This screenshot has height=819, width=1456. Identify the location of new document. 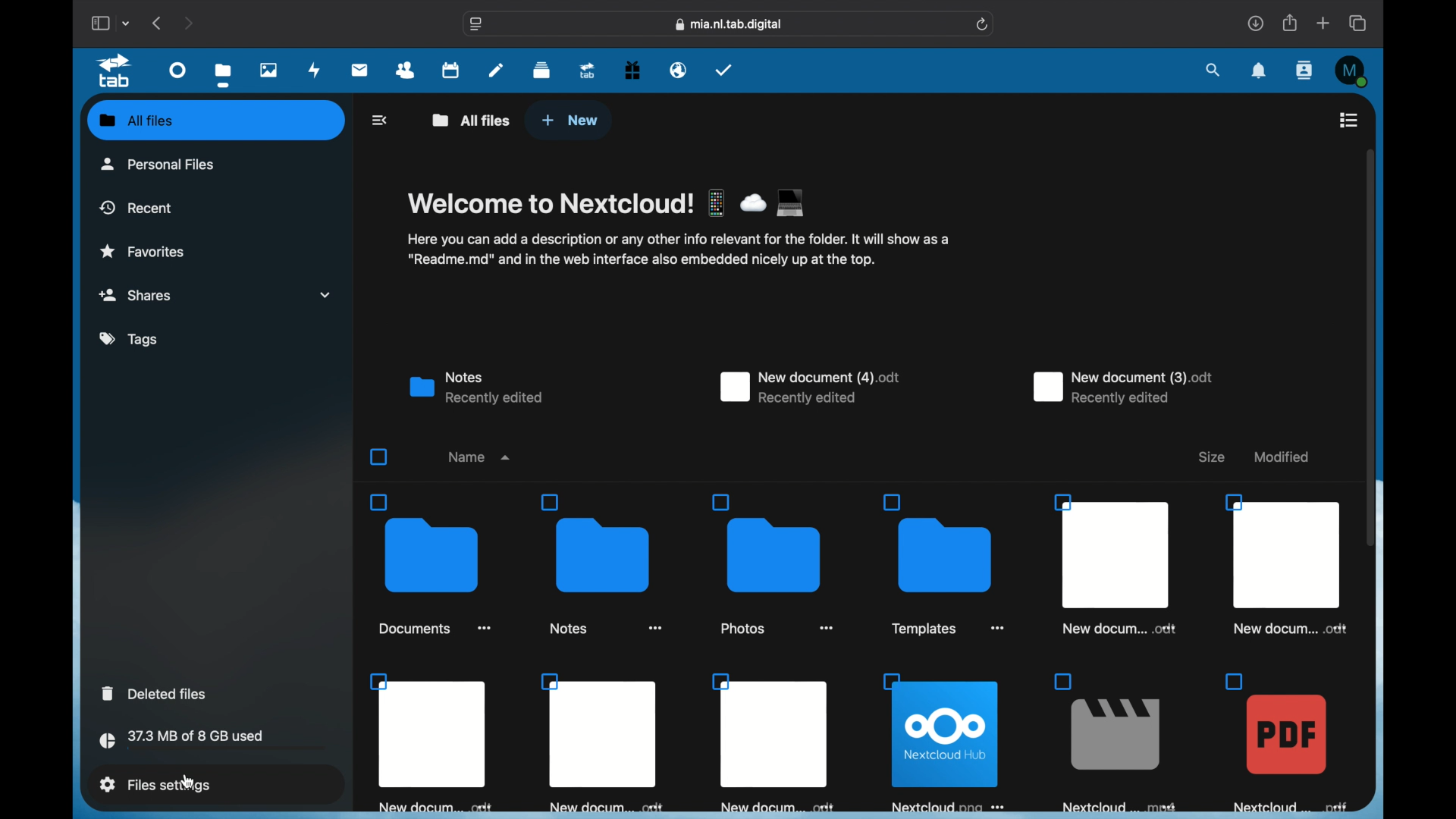
(1125, 388).